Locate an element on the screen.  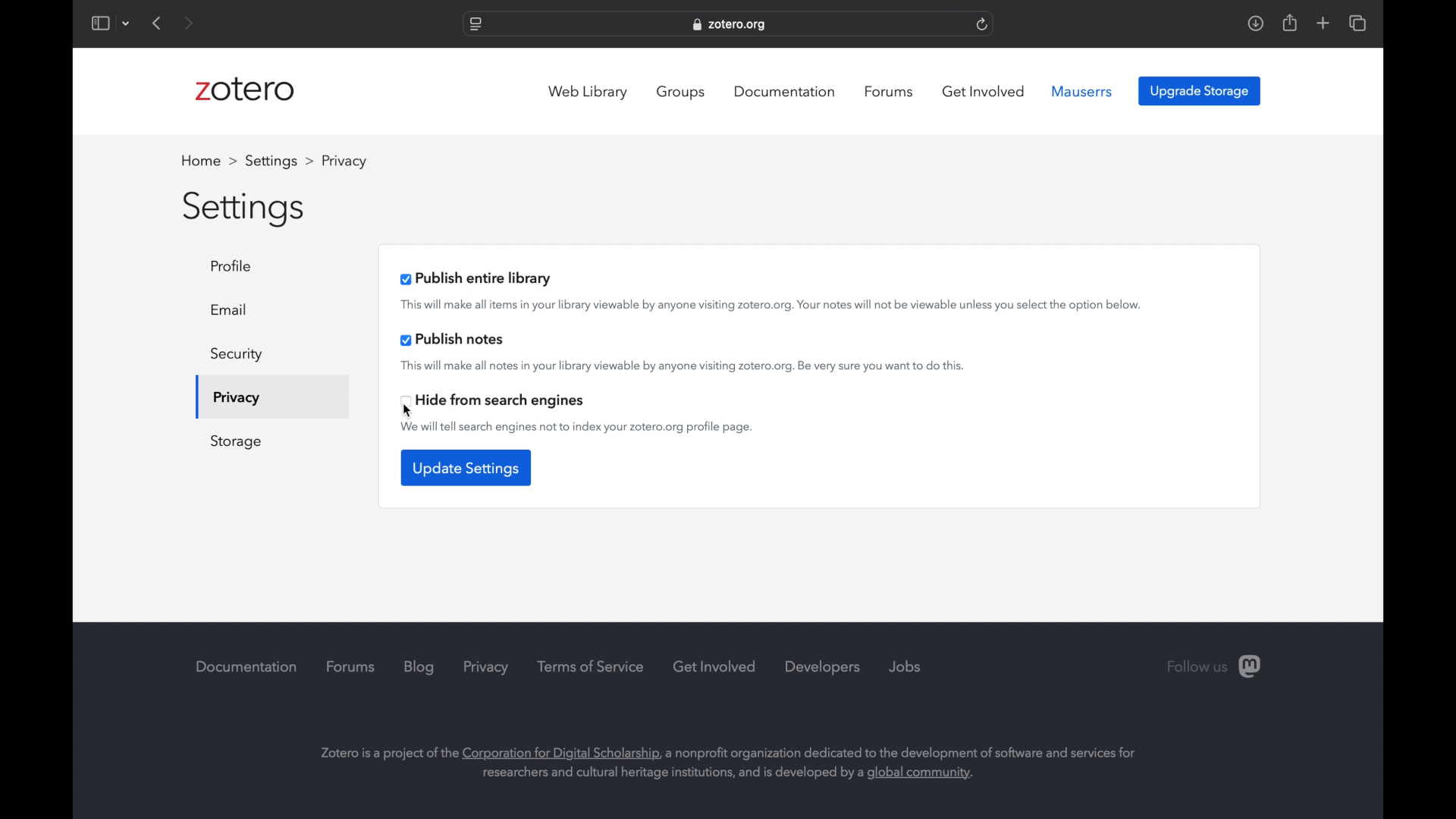
previous is located at coordinates (158, 23).